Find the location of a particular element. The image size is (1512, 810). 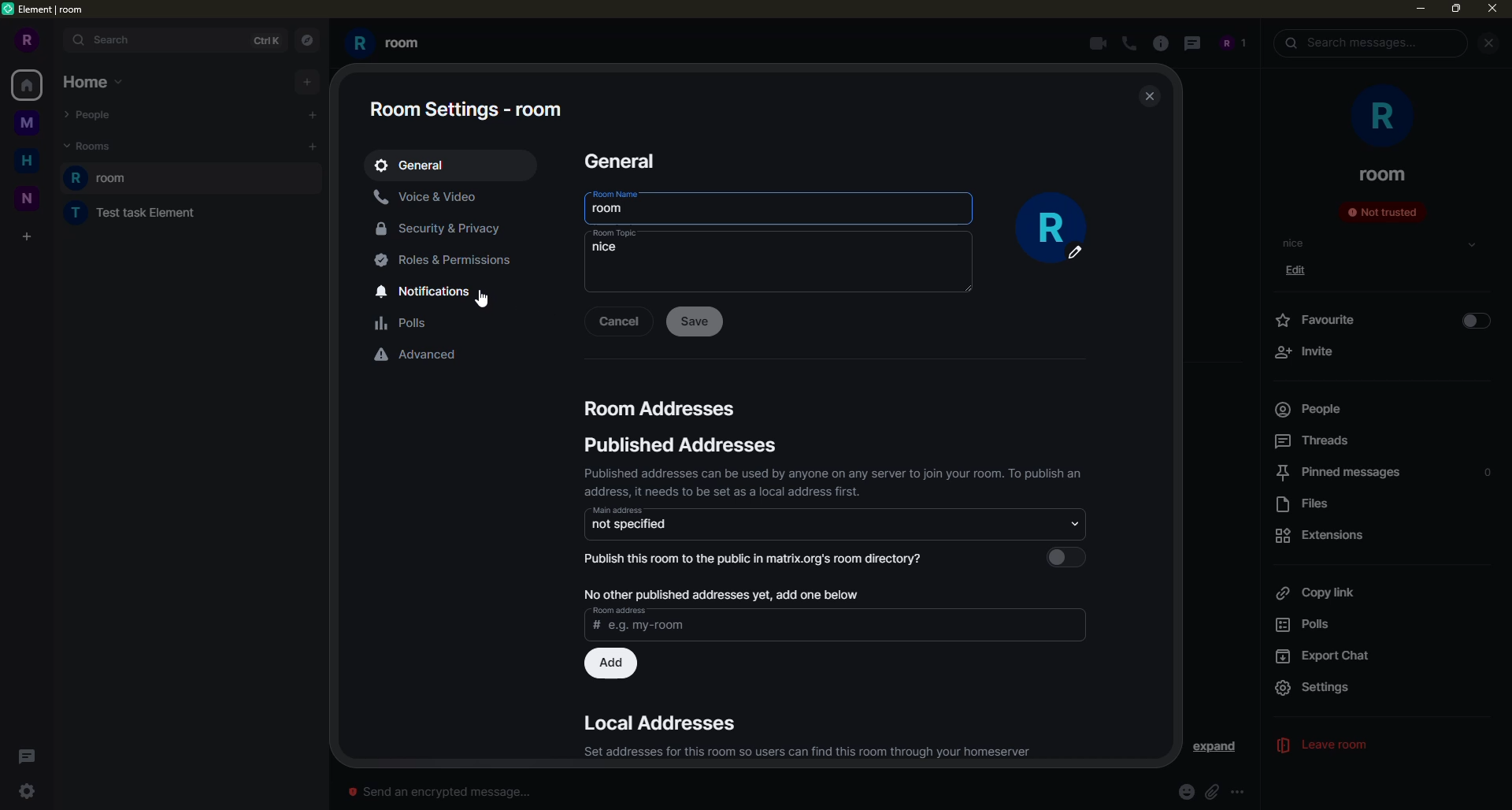

create a space is located at coordinates (30, 233).